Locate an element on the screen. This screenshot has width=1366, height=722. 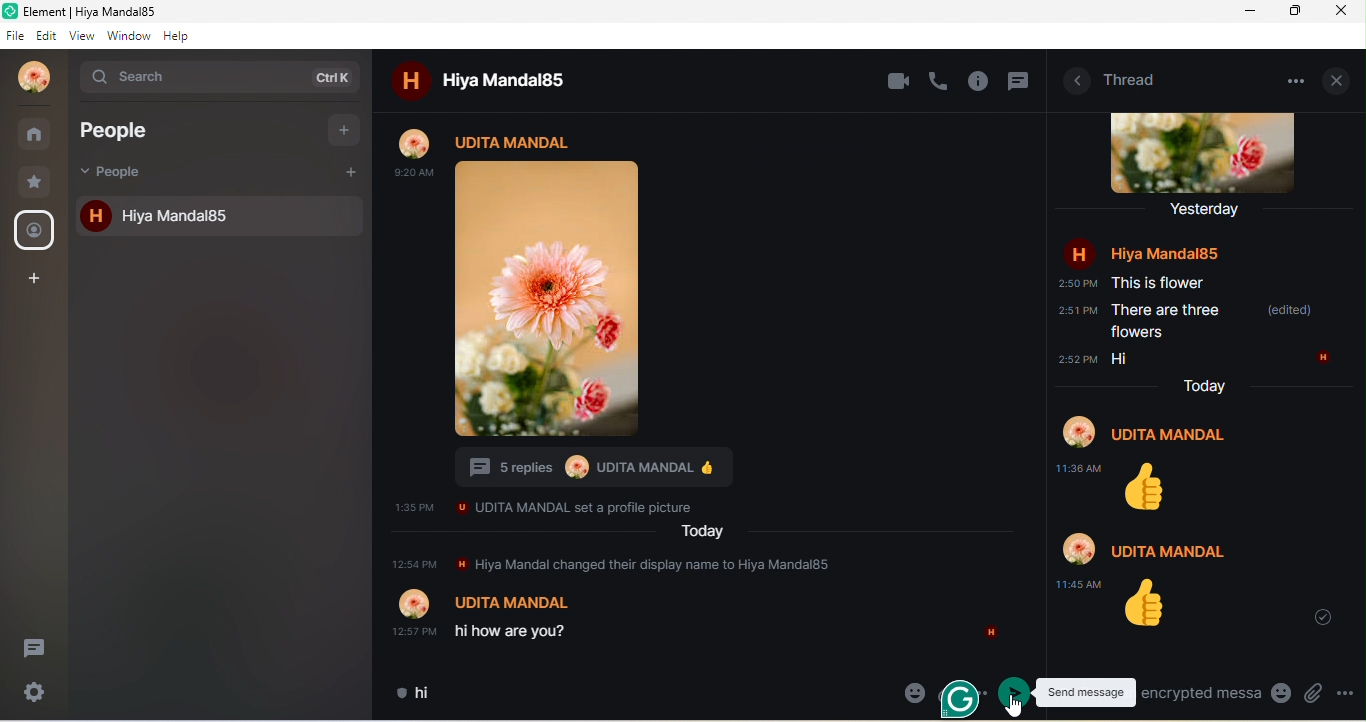
yesterday is located at coordinates (1209, 210).